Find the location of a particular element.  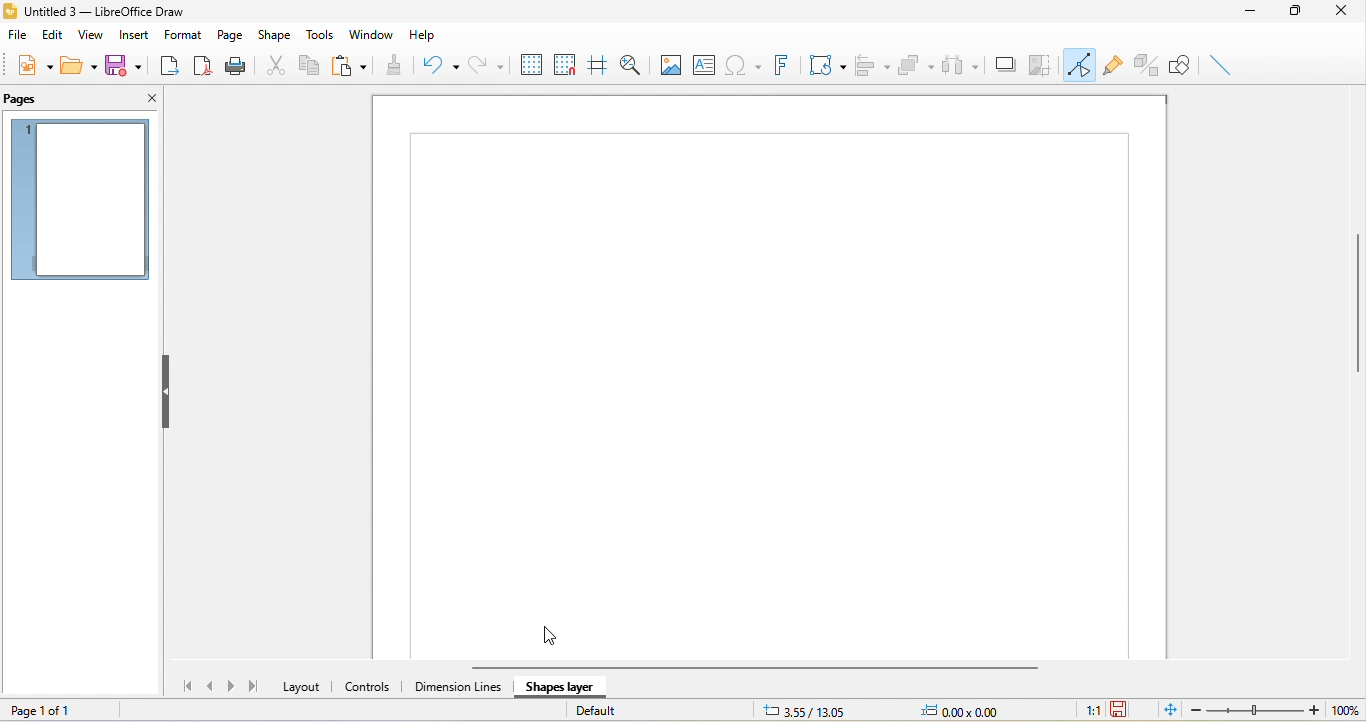

toggle extrusion is located at coordinates (1146, 65).